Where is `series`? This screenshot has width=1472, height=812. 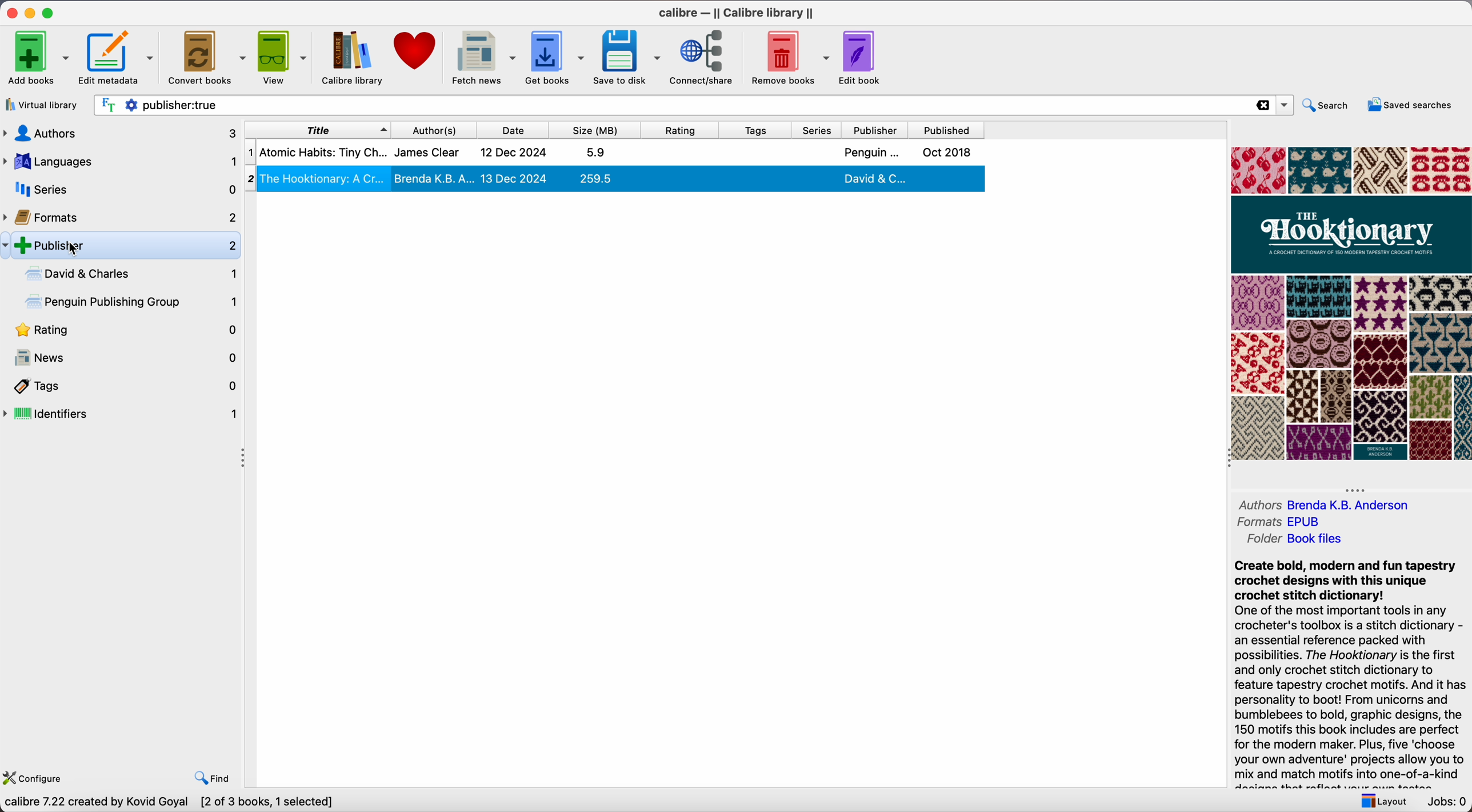 series is located at coordinates (119, 189).